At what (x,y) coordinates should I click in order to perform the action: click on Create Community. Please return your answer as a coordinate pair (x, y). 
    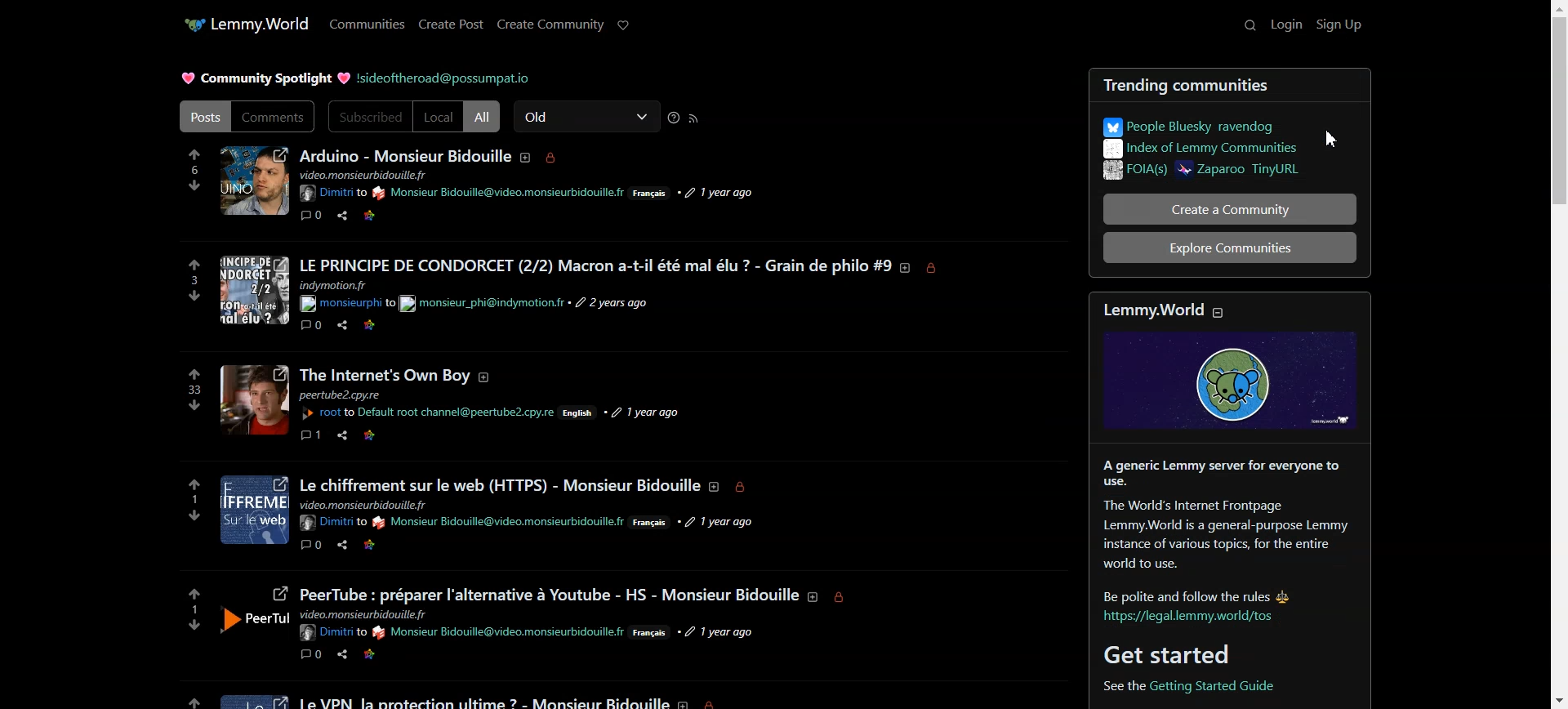
    Looking at the image, I should click on (550, 23).